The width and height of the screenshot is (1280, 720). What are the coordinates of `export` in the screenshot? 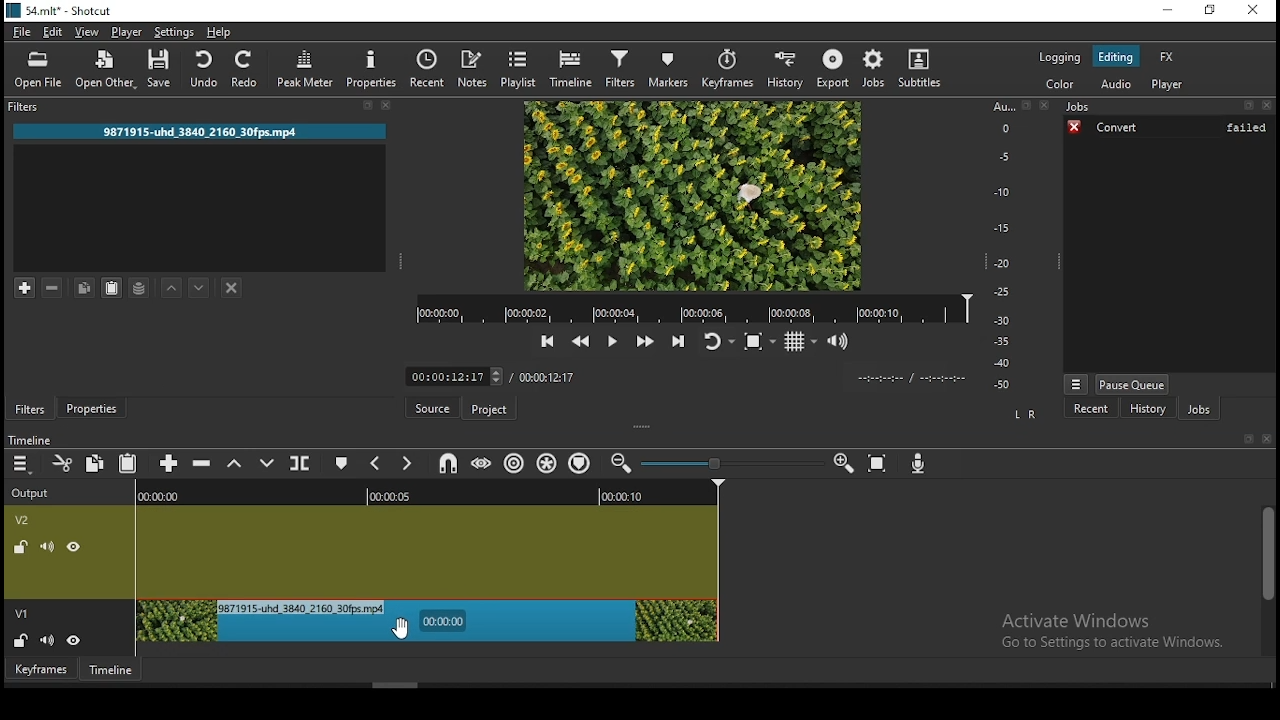 It's located at (831, 68).